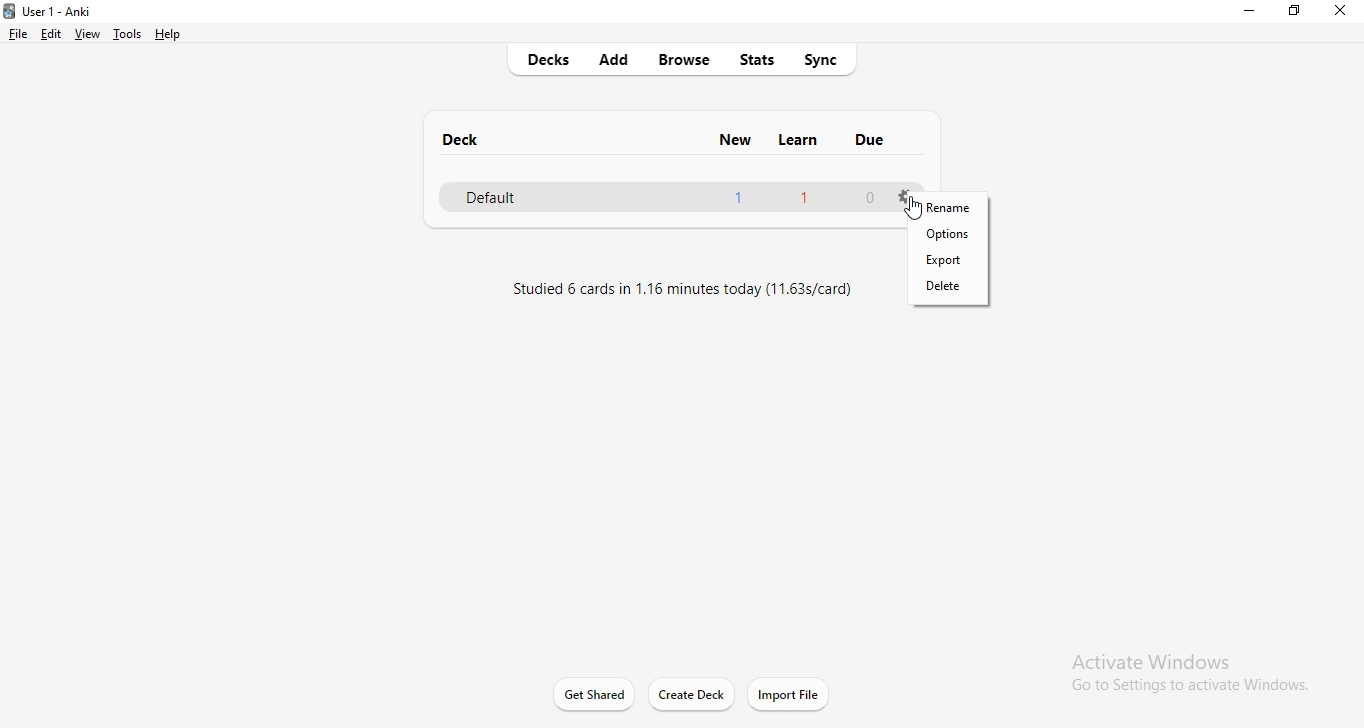 This screenshot has height=728, width=1364. I want to click on options, so click(952, 236).